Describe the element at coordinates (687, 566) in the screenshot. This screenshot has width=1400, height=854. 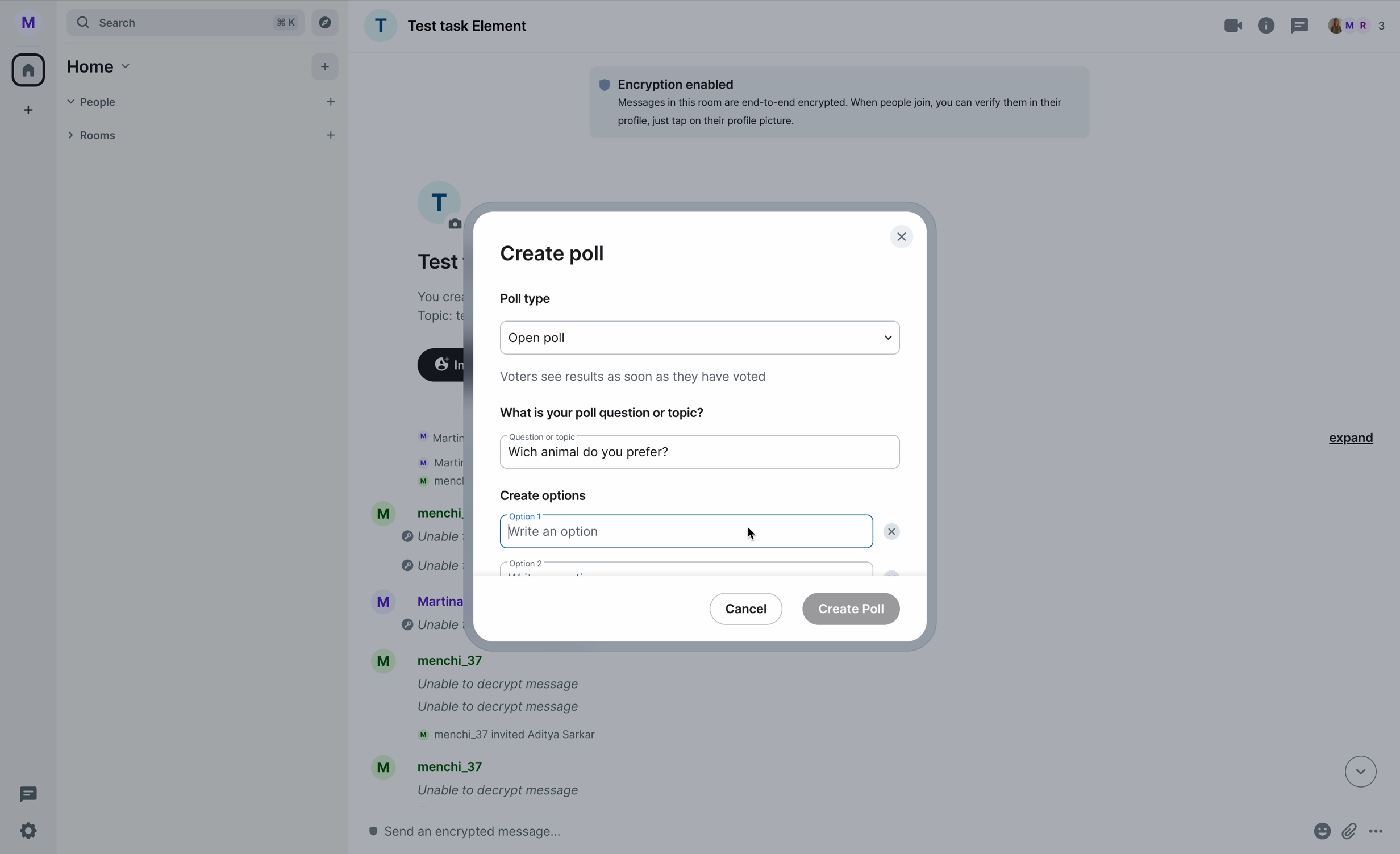
I see `option 2` at that location.